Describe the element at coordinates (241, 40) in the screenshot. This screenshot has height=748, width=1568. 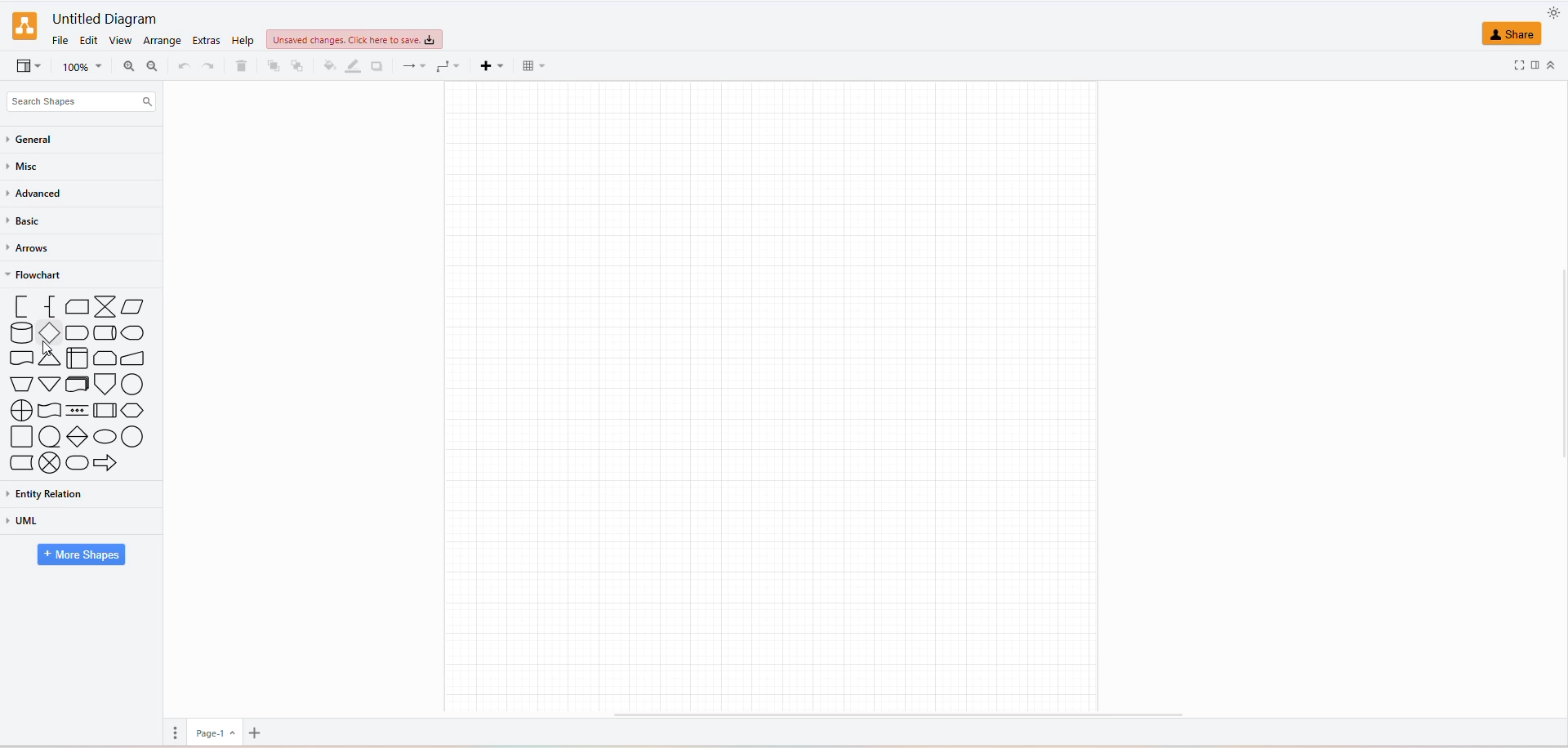
I see `HELP` at that location.